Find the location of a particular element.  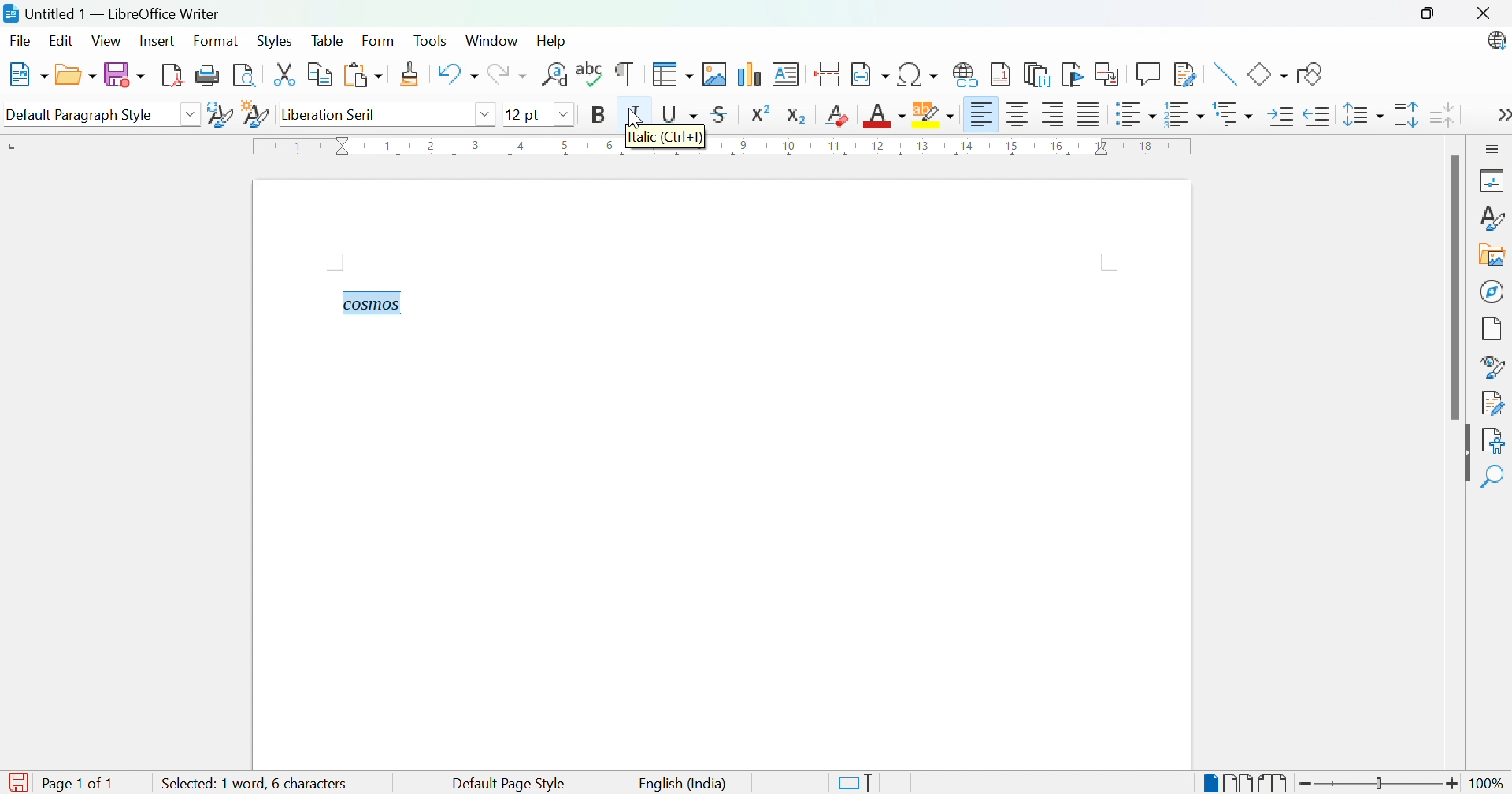

Gallery is located at coordinates (1489, 254).